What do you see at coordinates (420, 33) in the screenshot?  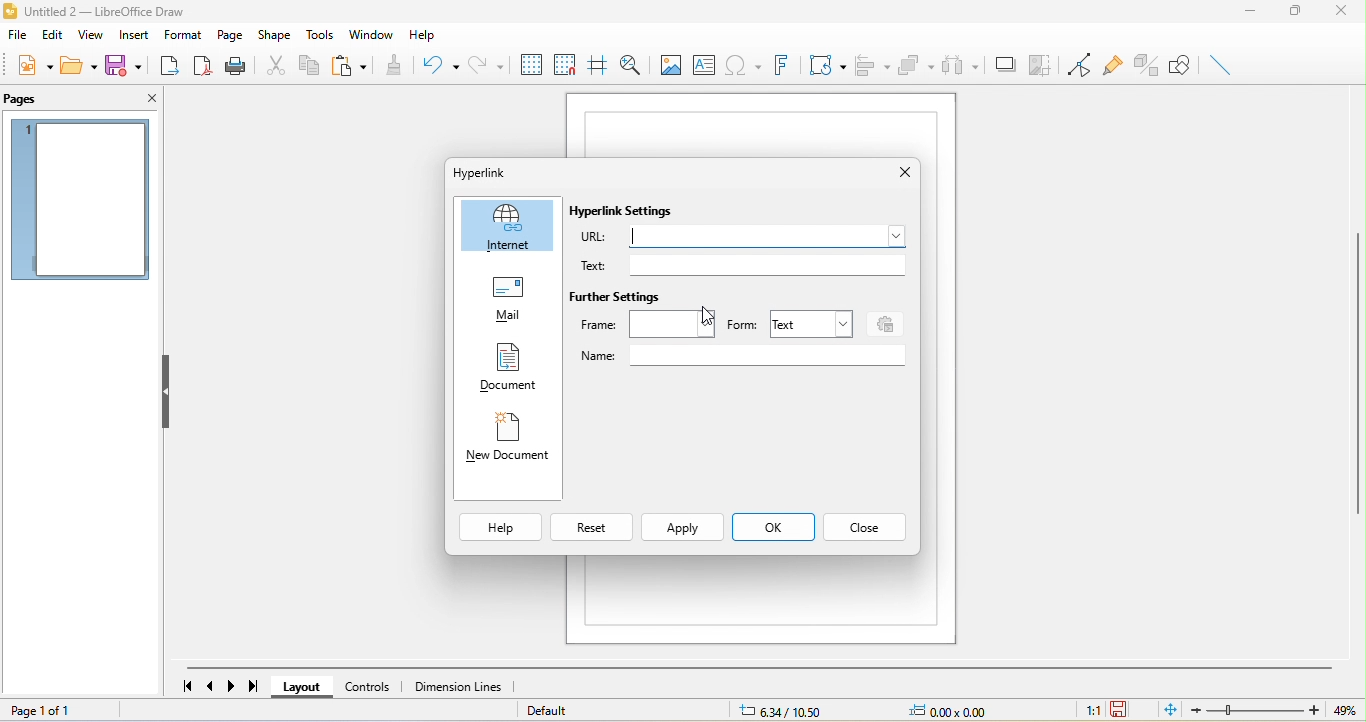 I see `help` at bounding box center [420, 33].